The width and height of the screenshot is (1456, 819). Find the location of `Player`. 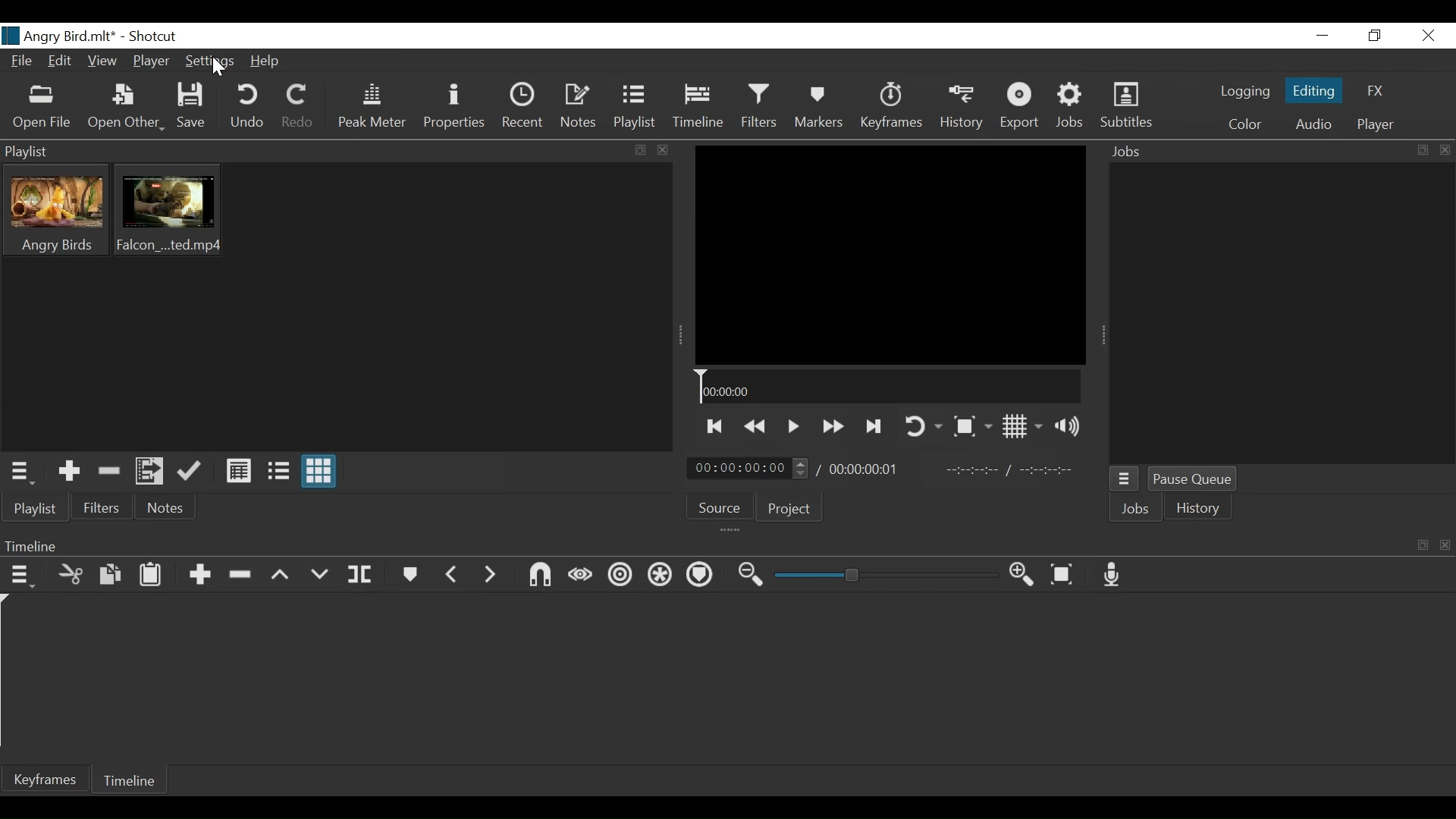

Player is located at coordinates (149, 62).